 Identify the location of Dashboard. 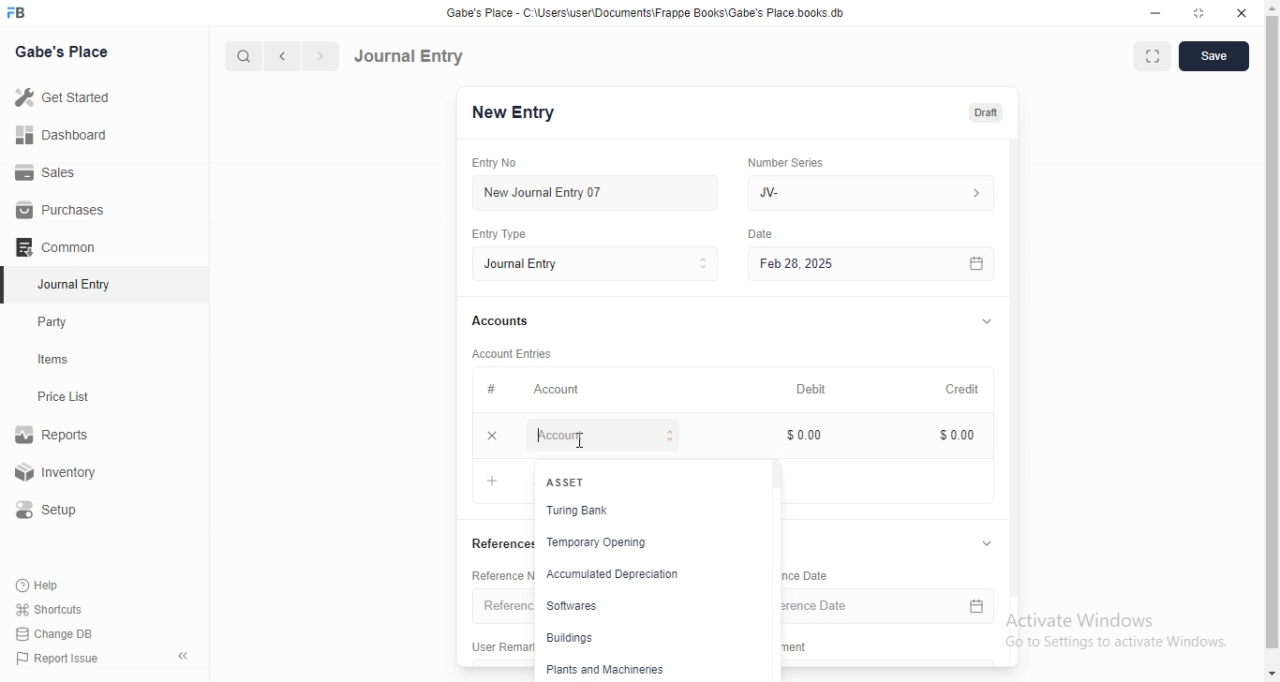
(59, 135).